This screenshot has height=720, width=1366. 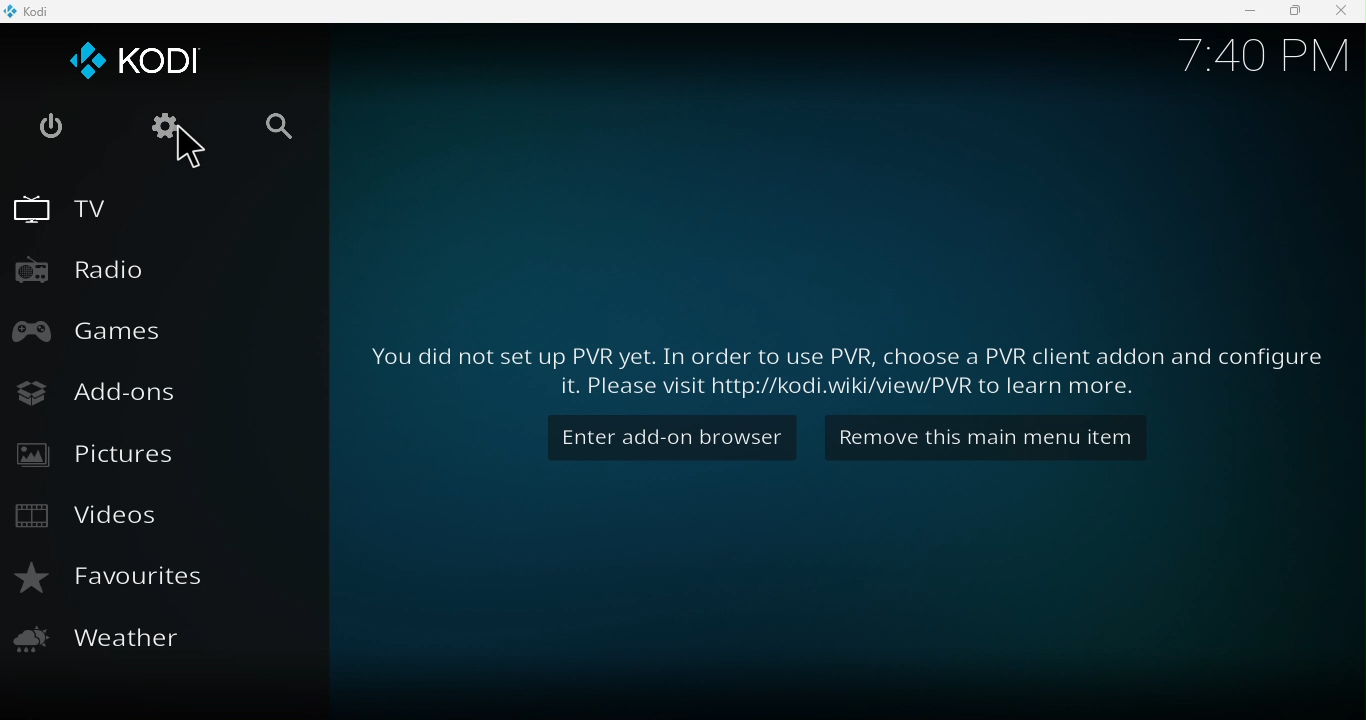 What do you see at coordinates (63, 204) in the screenshot?
I see `TV` at bounding box center [63, 204].